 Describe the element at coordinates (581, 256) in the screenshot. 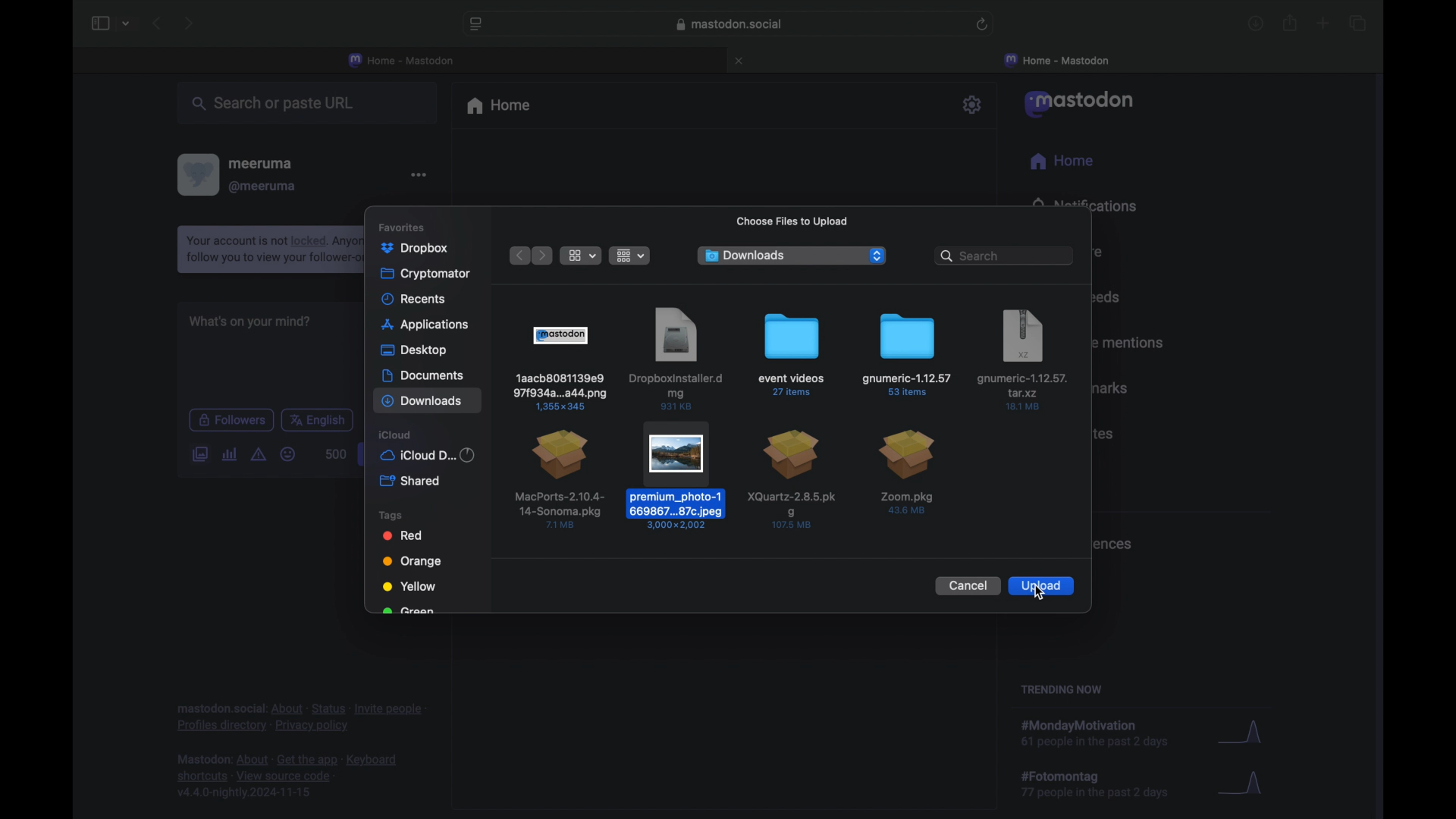

I see `list view options` at that location.